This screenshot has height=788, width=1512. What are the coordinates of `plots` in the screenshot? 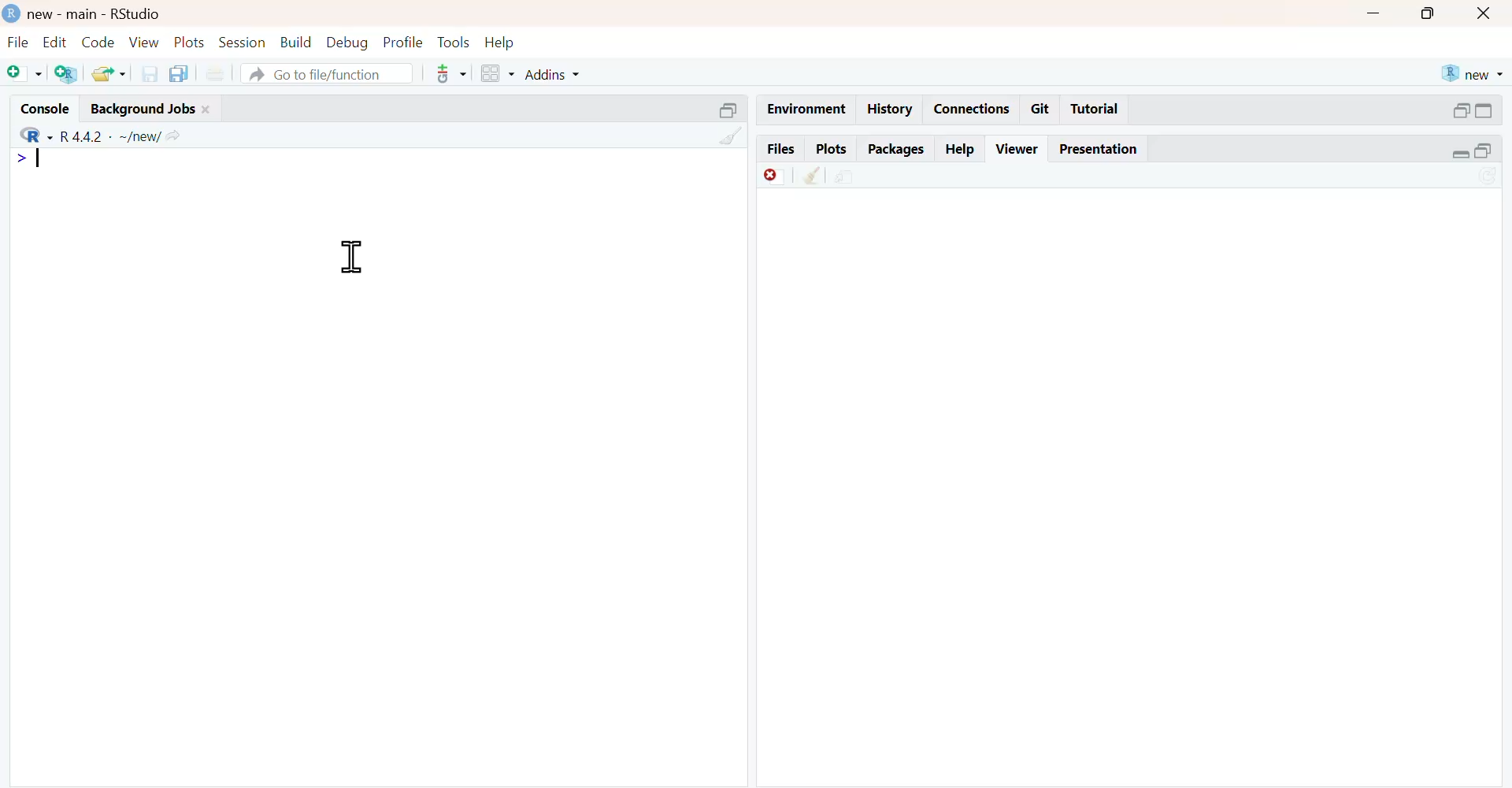 It's located at (191, 42).